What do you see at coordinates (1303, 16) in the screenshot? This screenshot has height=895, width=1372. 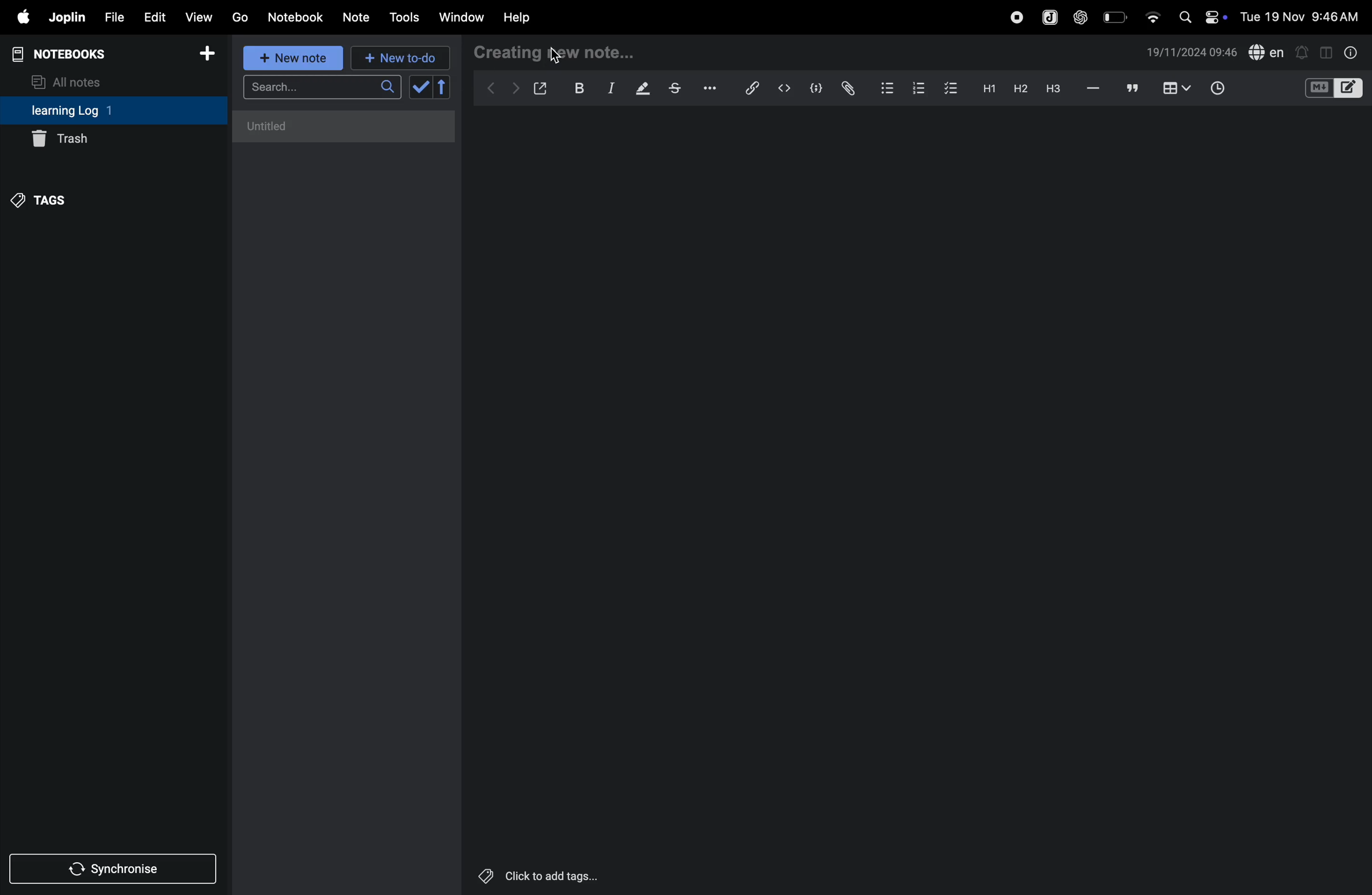 I see `date and time` at bounding box center [1303, 16].